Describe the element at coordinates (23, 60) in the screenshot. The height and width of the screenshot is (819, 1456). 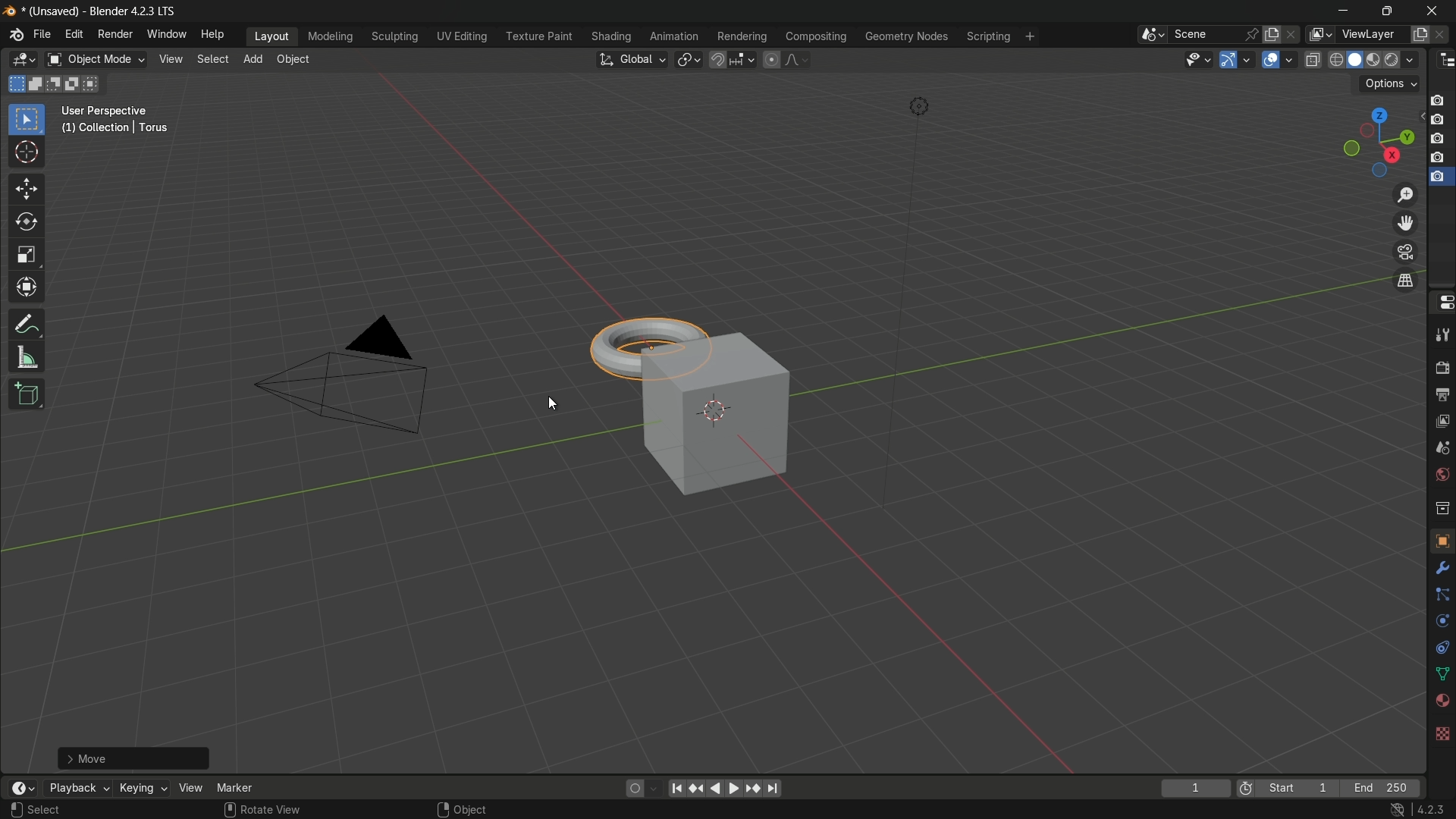
I see `3D viewport` at that location.